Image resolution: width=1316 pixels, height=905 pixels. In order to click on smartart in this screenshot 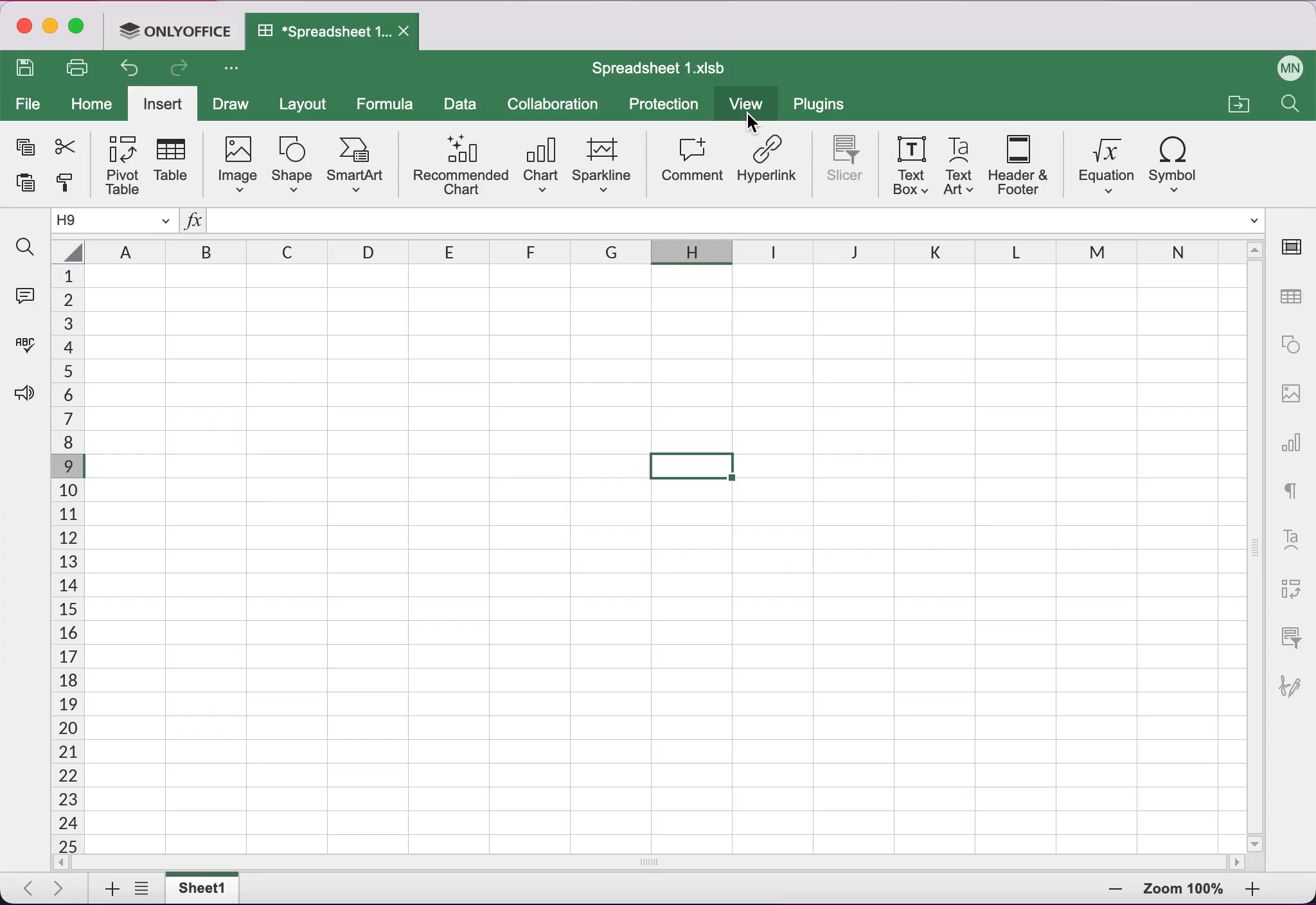, I will do `click(357, 162)`.